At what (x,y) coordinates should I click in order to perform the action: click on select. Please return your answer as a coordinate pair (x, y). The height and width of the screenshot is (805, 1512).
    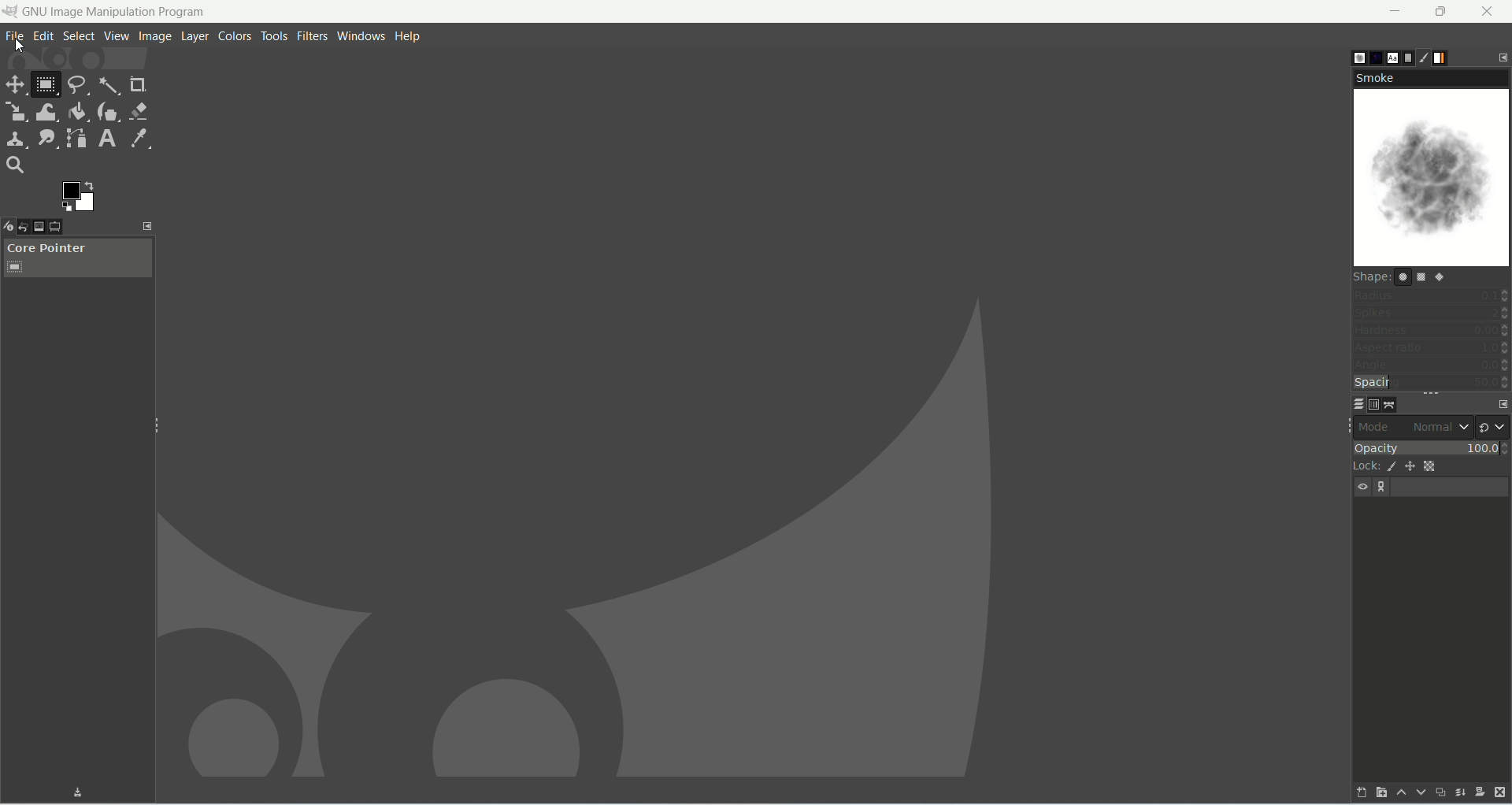
    Looking at the image, I should click on (78, 35).